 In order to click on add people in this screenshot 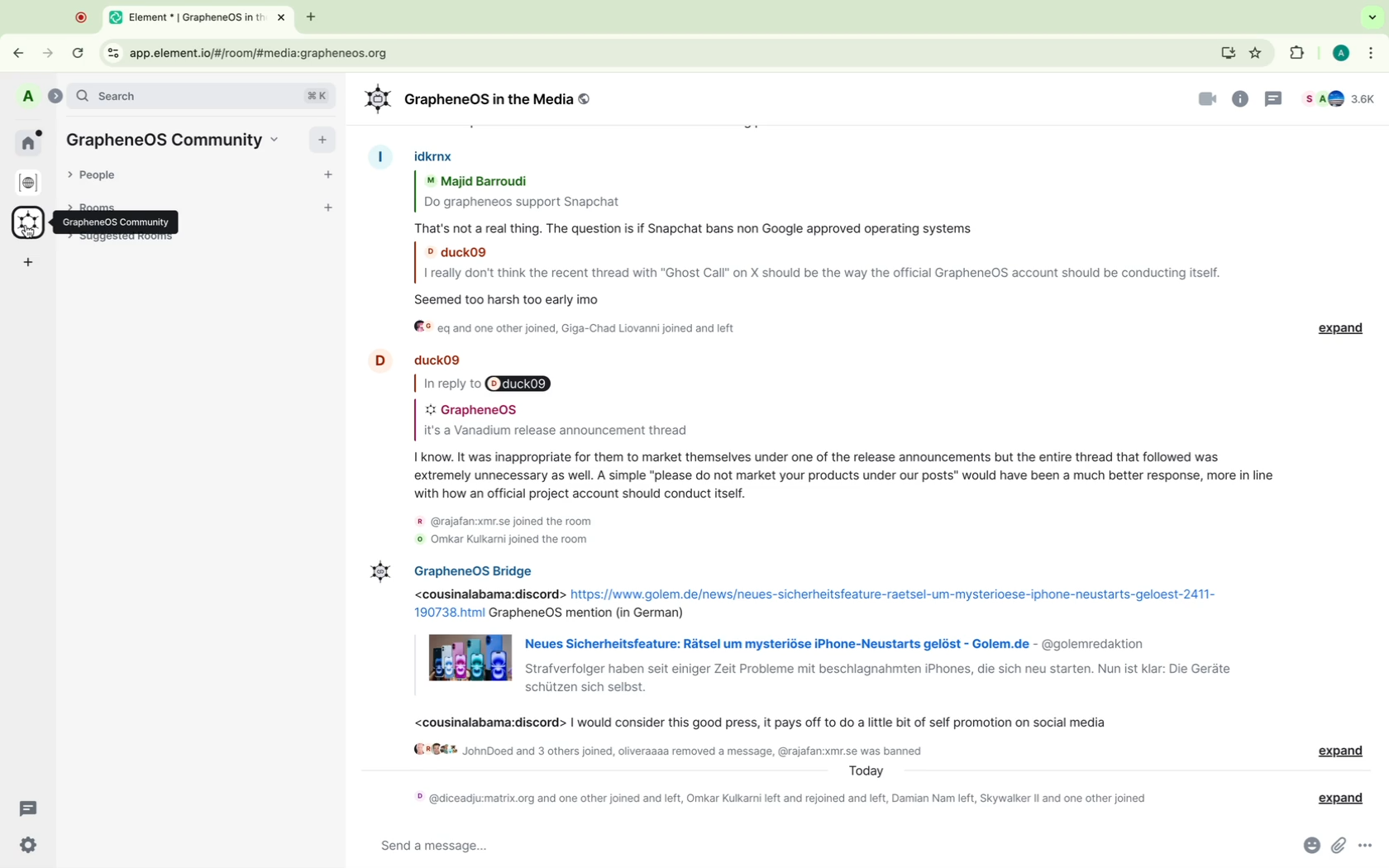, I will do `click(327, 176)`.